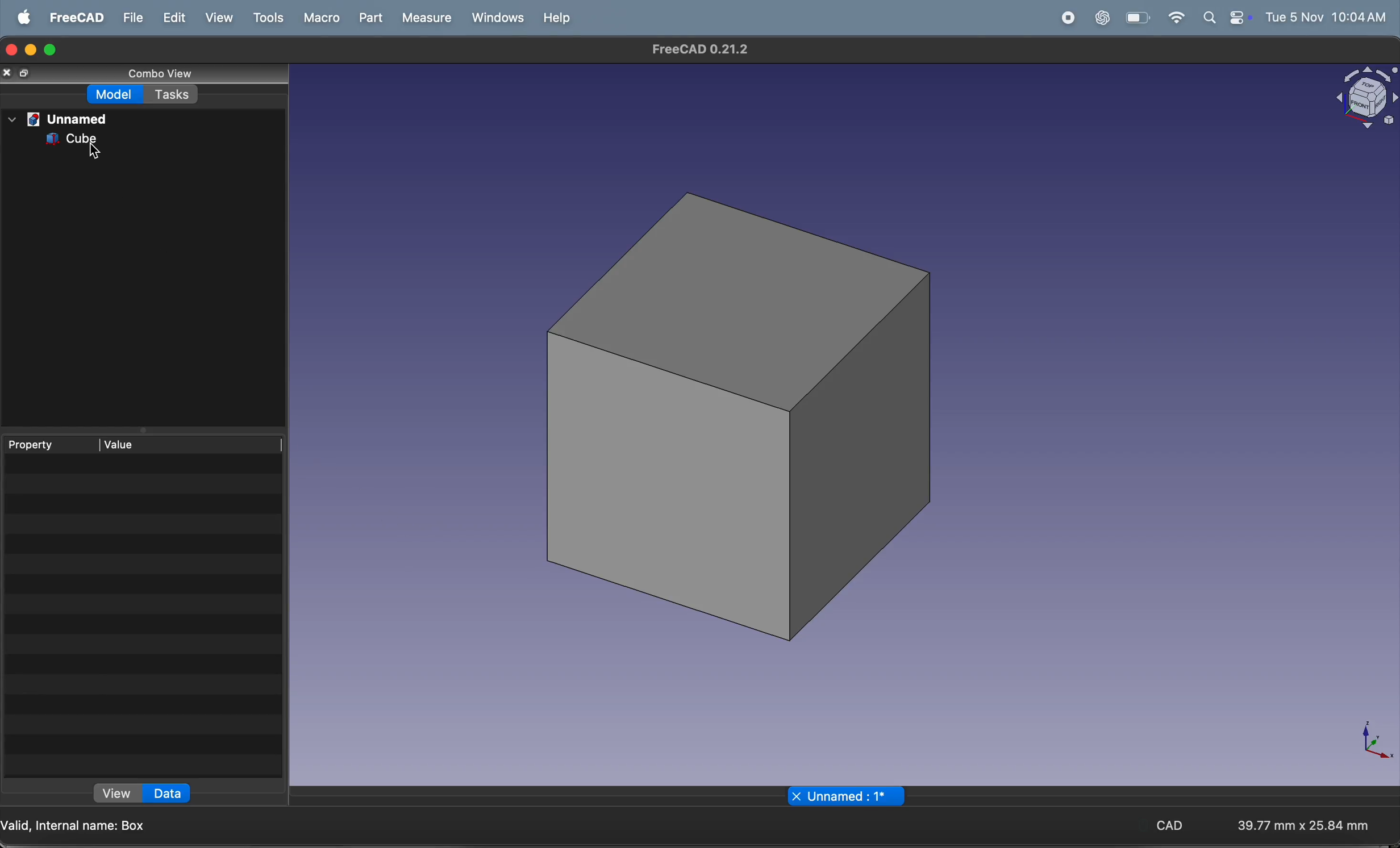 This screenshot has height=848, width=1400. Describe the element at coordinates (168, 16) in the screenshot. I see `edit` at that location.